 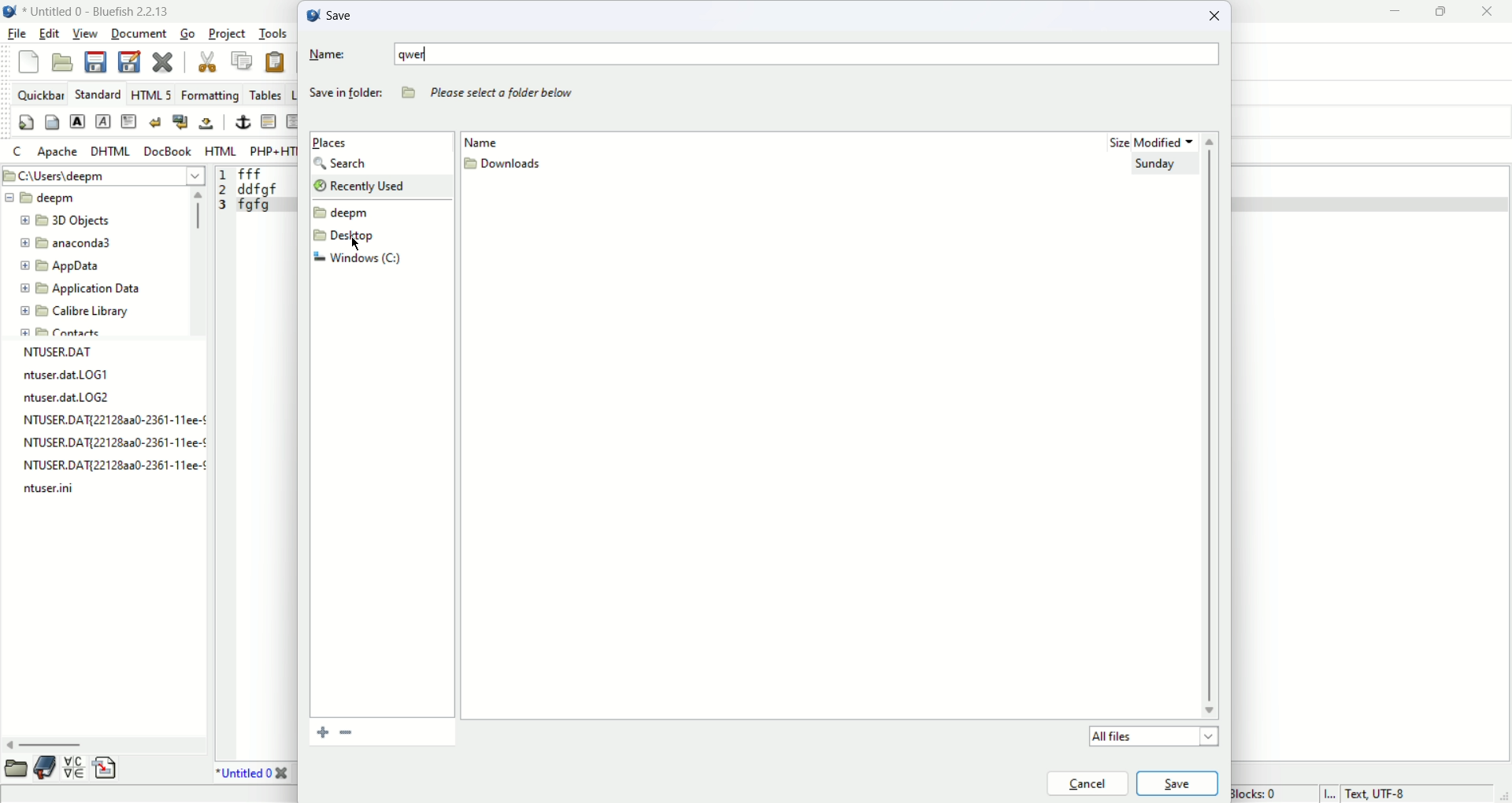 What do you see at coordinates (132, 61) in the screenshot?
I see `save as` at bounding box center [132, 61].